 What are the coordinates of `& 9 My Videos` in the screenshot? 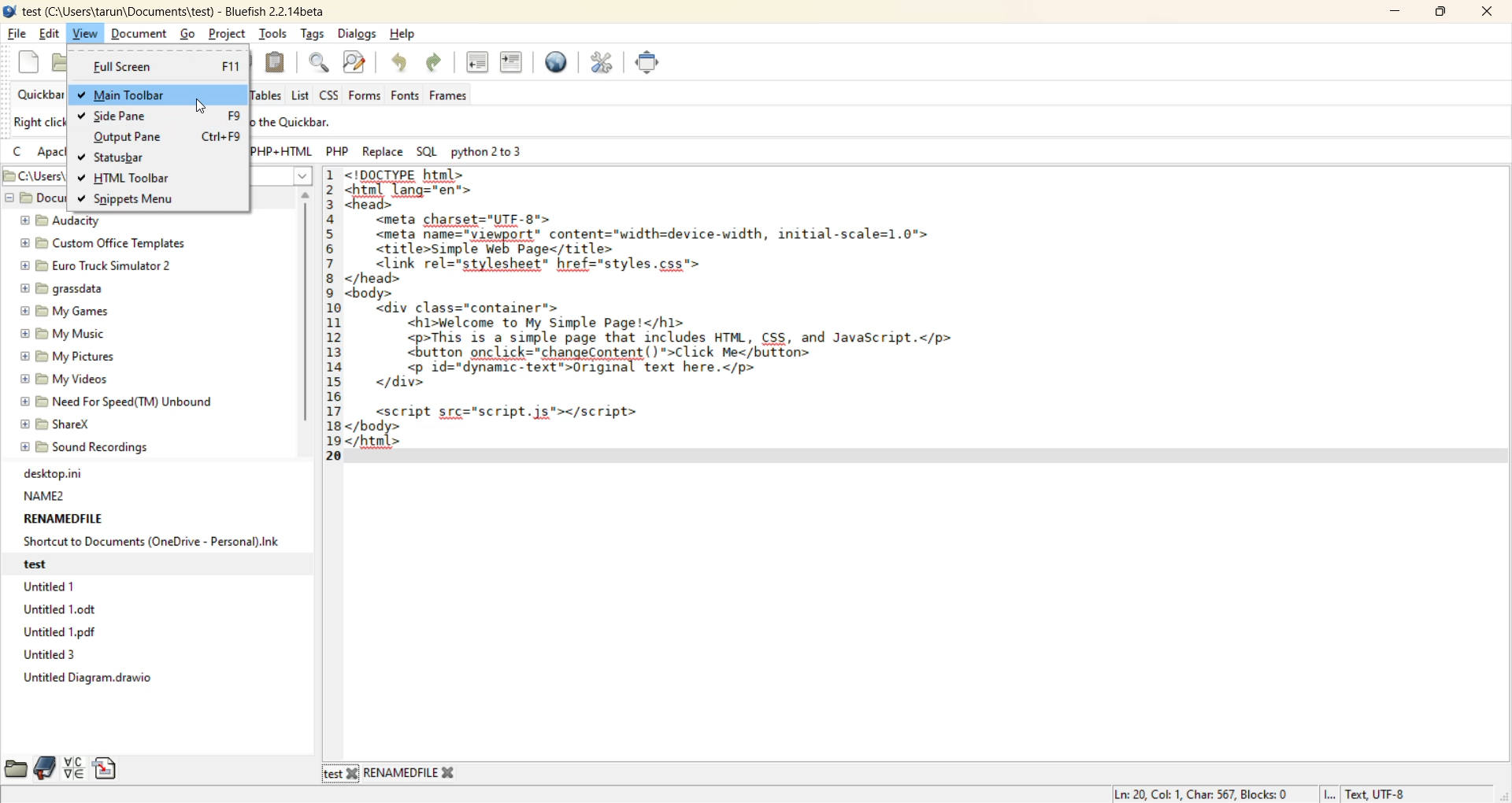 It's located at (62, 380).